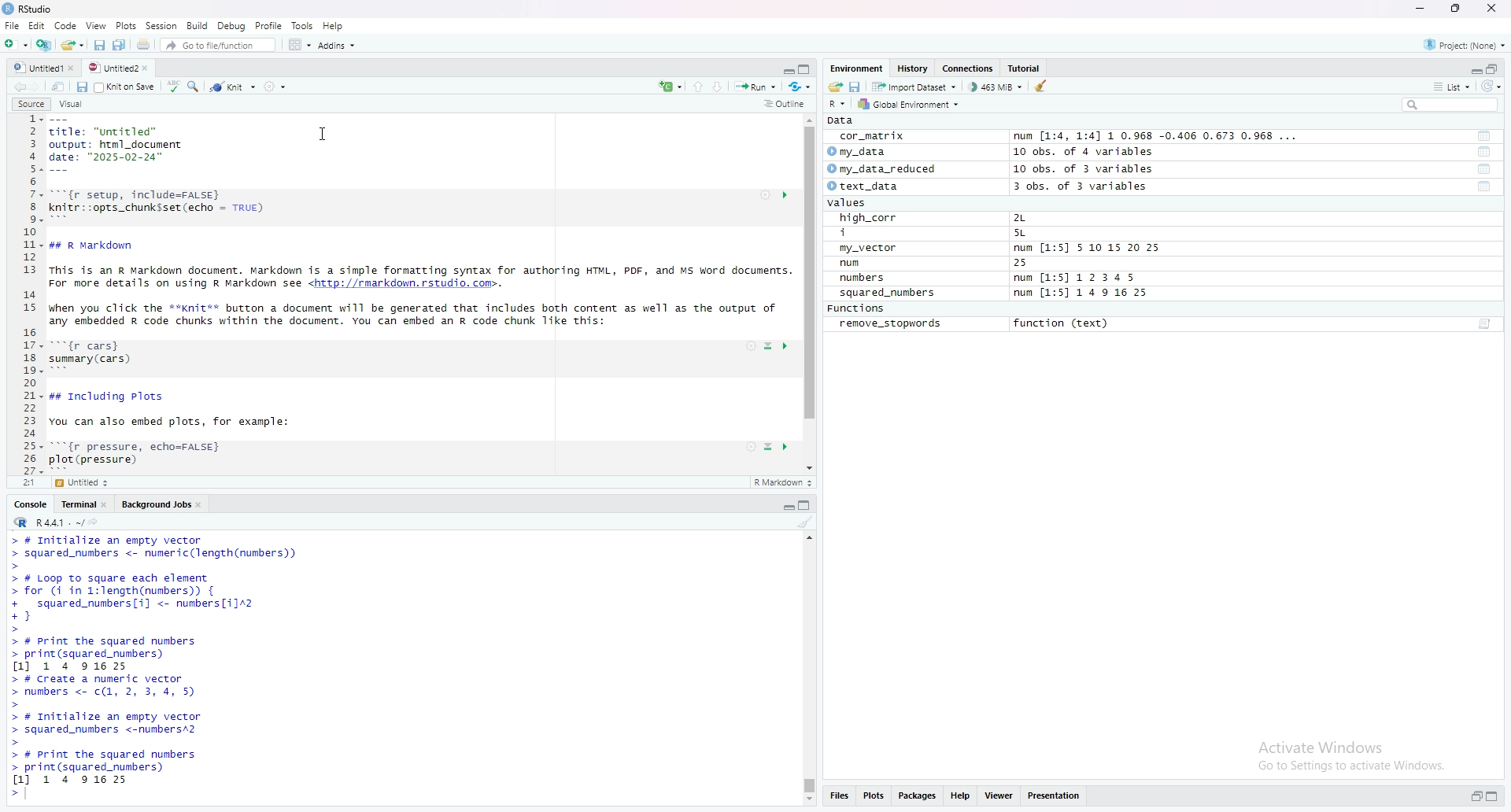  I want to click on Debug, so click(231, 27).